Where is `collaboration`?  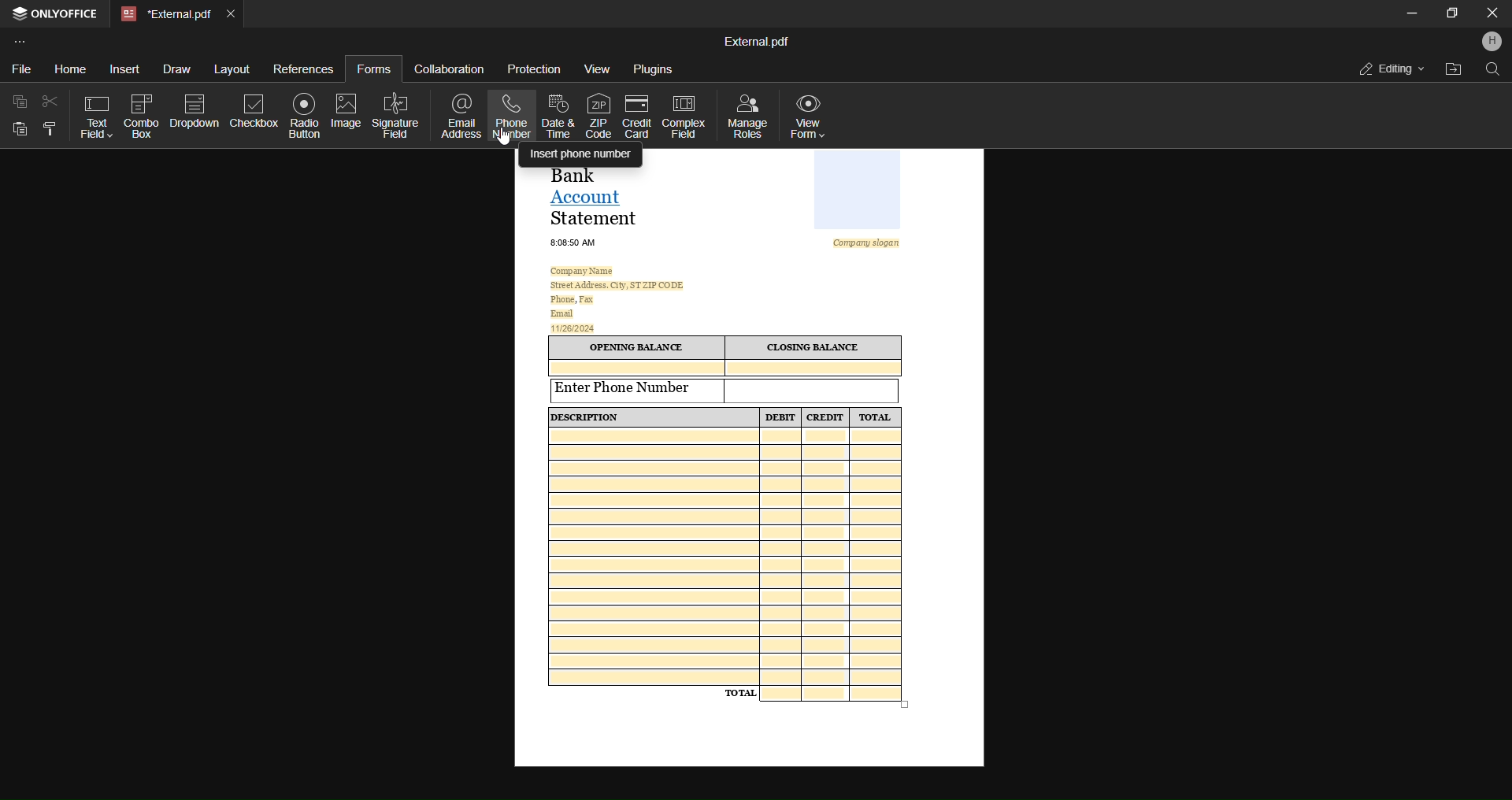 collaboration is located at coordinates (450, 67).